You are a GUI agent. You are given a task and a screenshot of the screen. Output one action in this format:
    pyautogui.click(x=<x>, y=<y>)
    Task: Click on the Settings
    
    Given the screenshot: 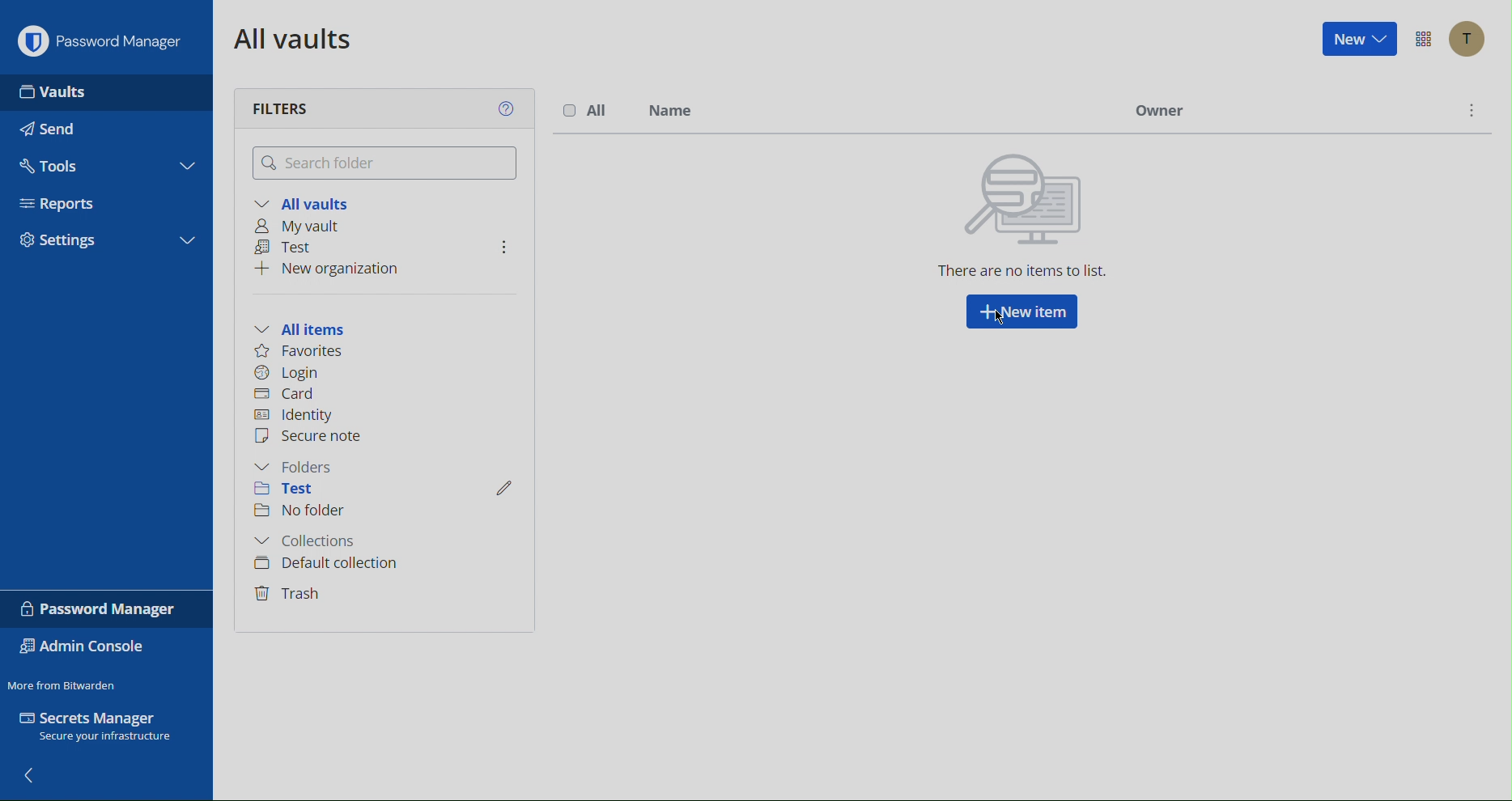 What is the action you would take?
    pyautogui.click(x=101, y=239)
    